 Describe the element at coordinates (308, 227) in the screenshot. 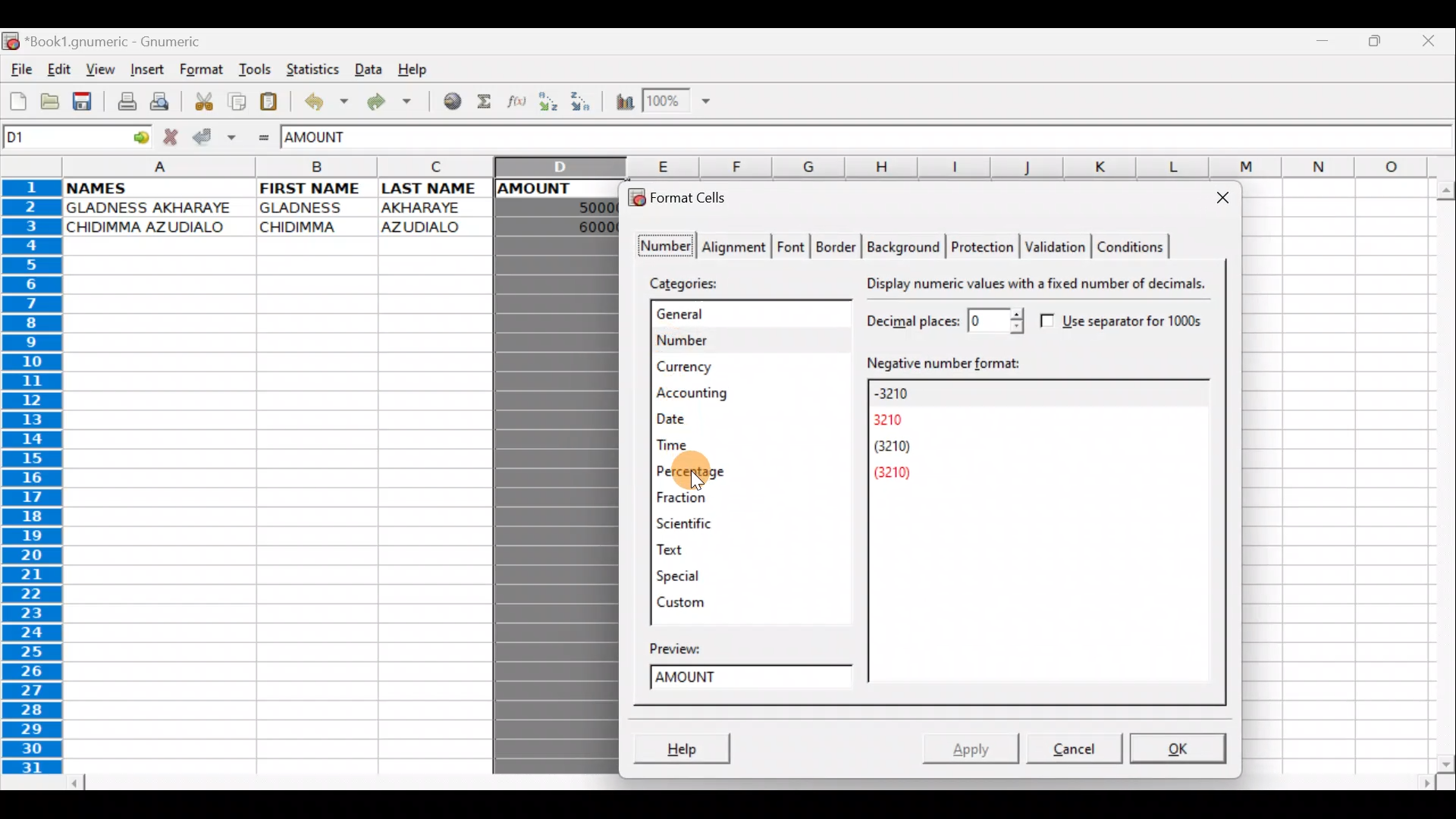

I see `CHIDIMMA` at that location.